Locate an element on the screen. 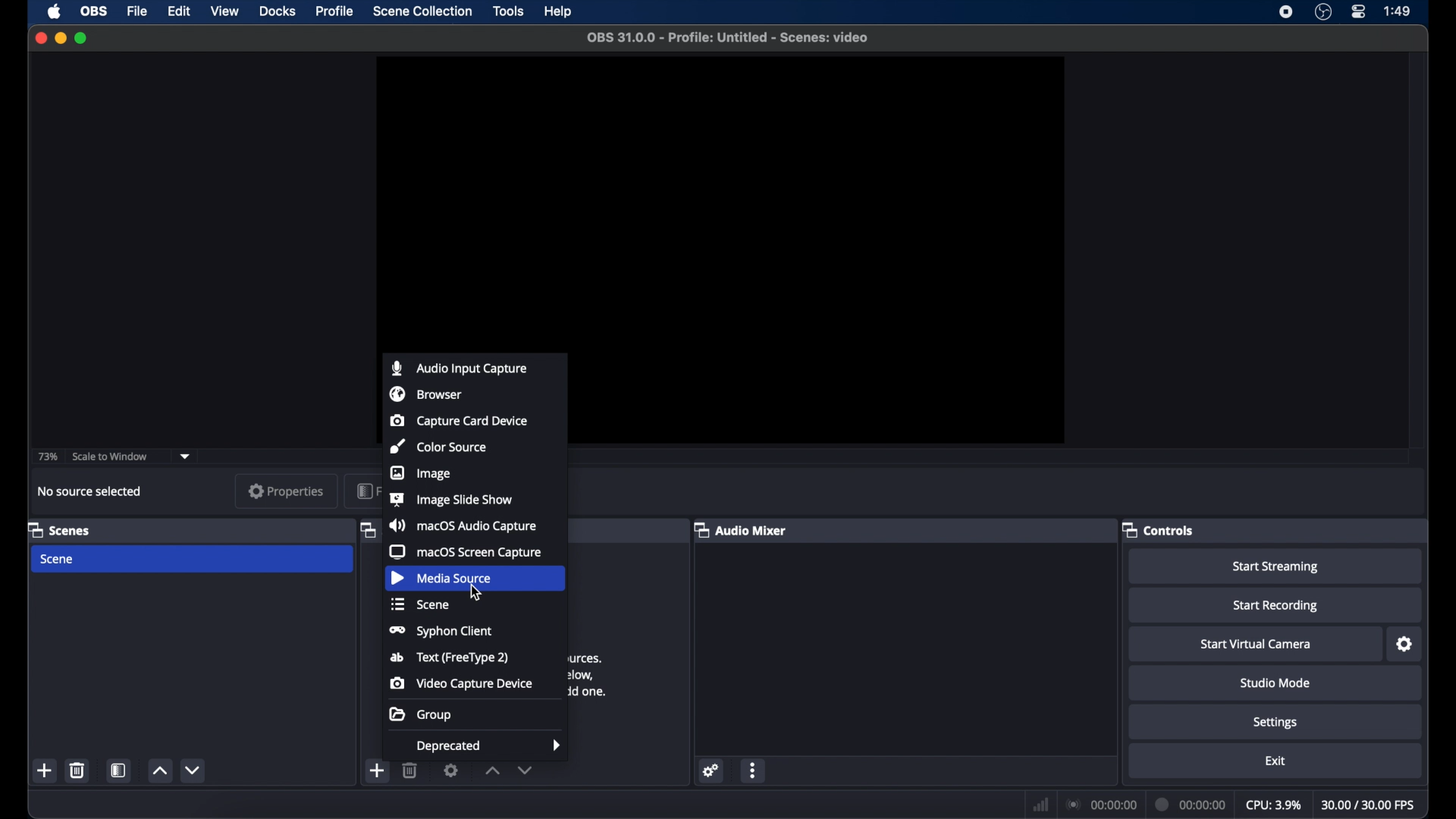 The width and height of the screenshot is (1456, 819). maximize is located at coordinates (83, 38).